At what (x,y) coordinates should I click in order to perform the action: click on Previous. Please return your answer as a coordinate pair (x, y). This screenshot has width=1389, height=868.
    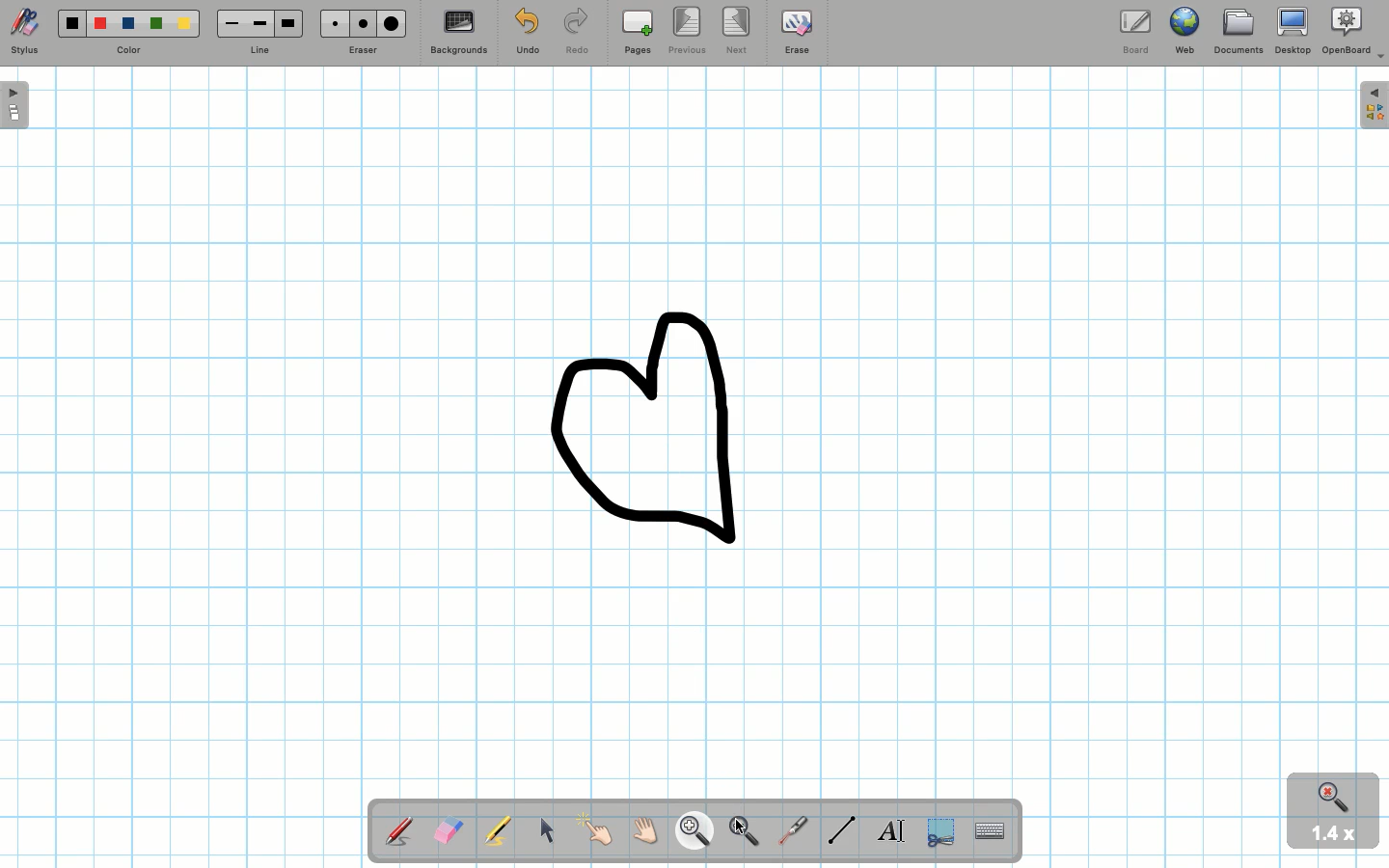
    Looking at the image, I should click on (685, 31).